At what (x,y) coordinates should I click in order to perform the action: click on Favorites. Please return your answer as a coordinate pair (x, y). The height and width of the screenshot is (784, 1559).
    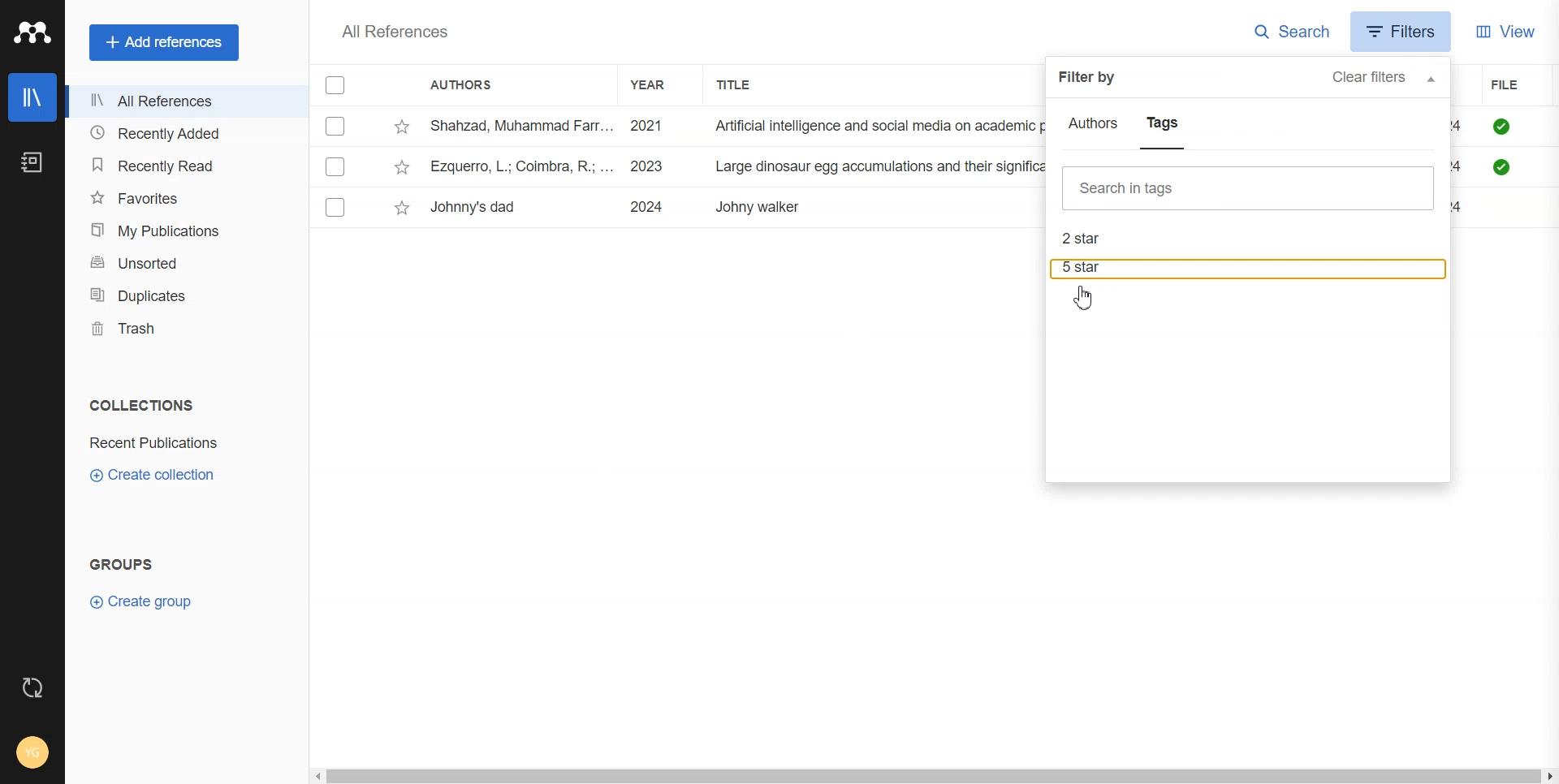
    Looking at the image, I should click on (182, 196).